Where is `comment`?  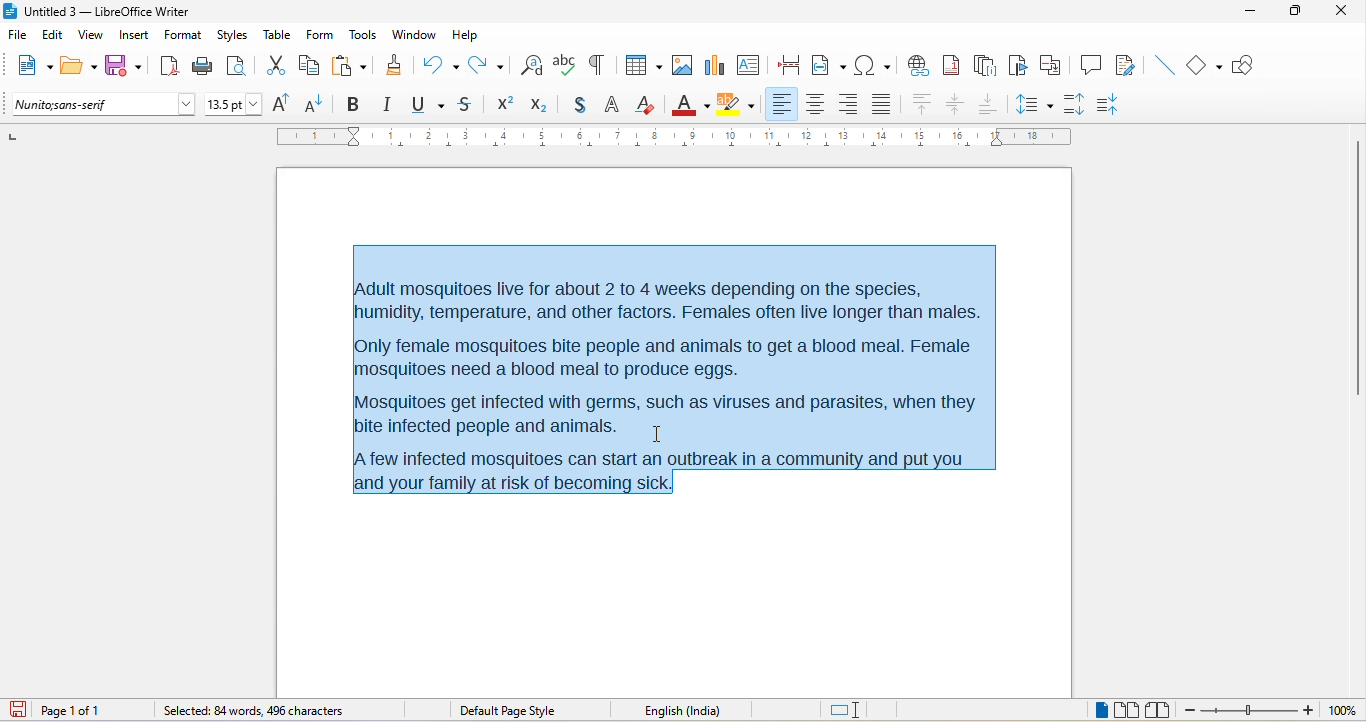 comment is located at coordinates (1091, 63).